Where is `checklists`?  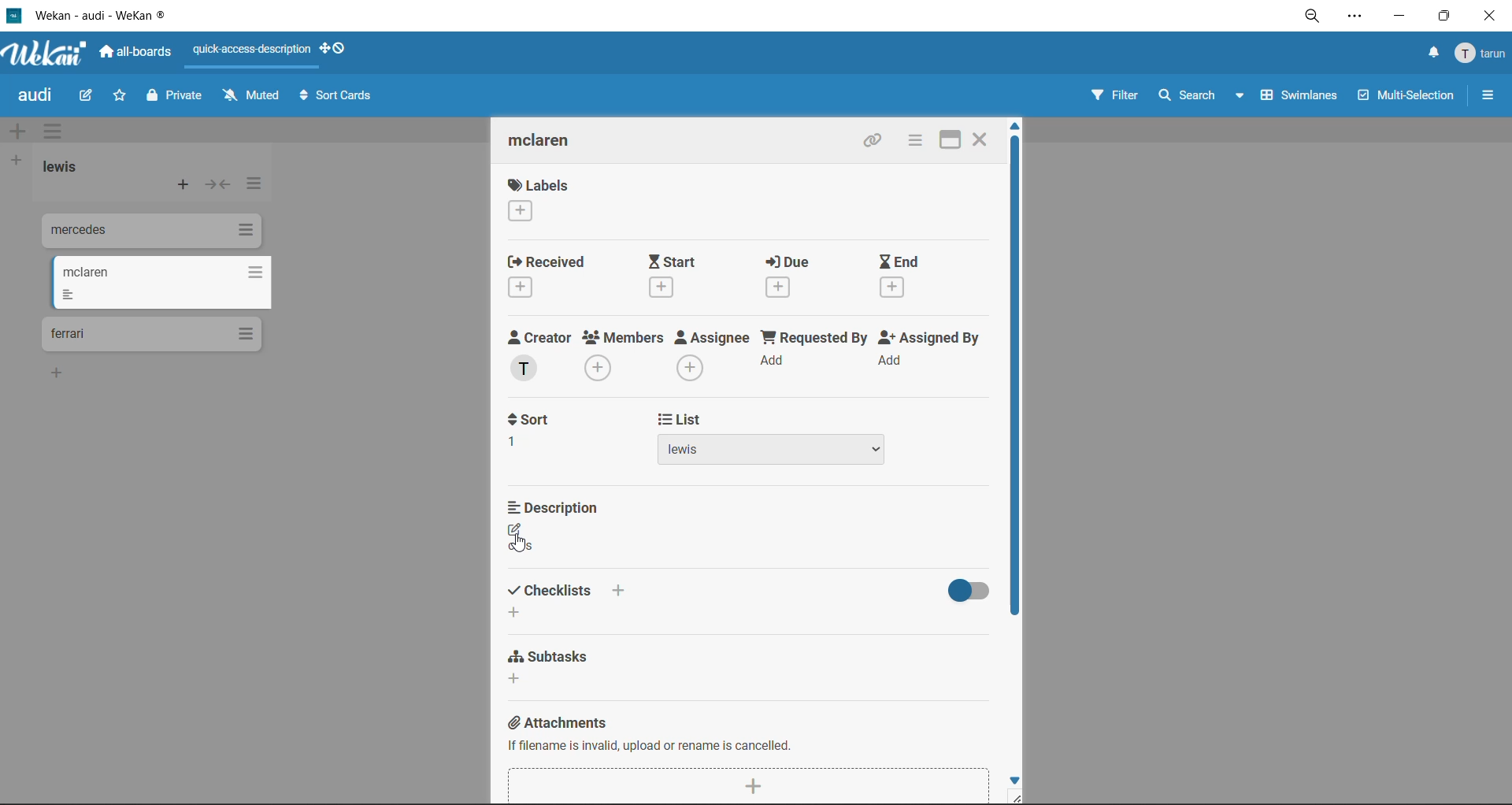 checklists is located at coordinates (576, 599).